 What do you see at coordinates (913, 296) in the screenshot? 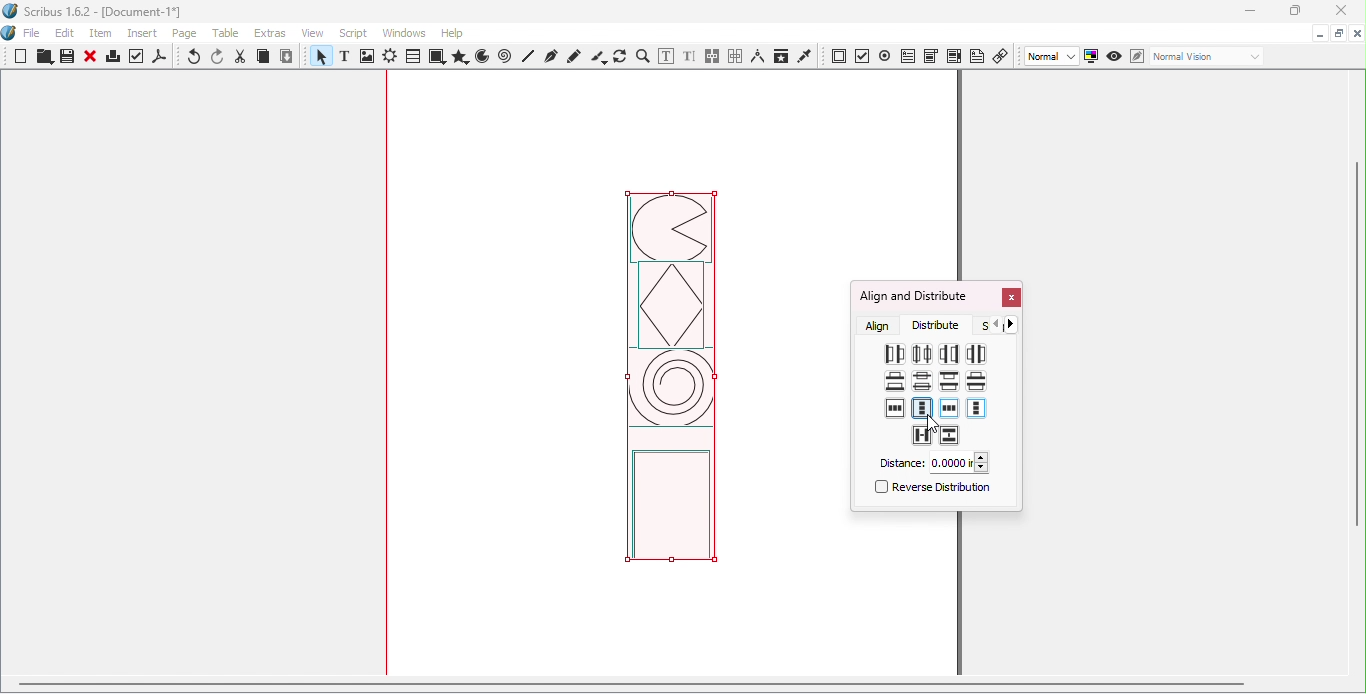
I see `Align and Distribute` at bounding box center [913, 296].